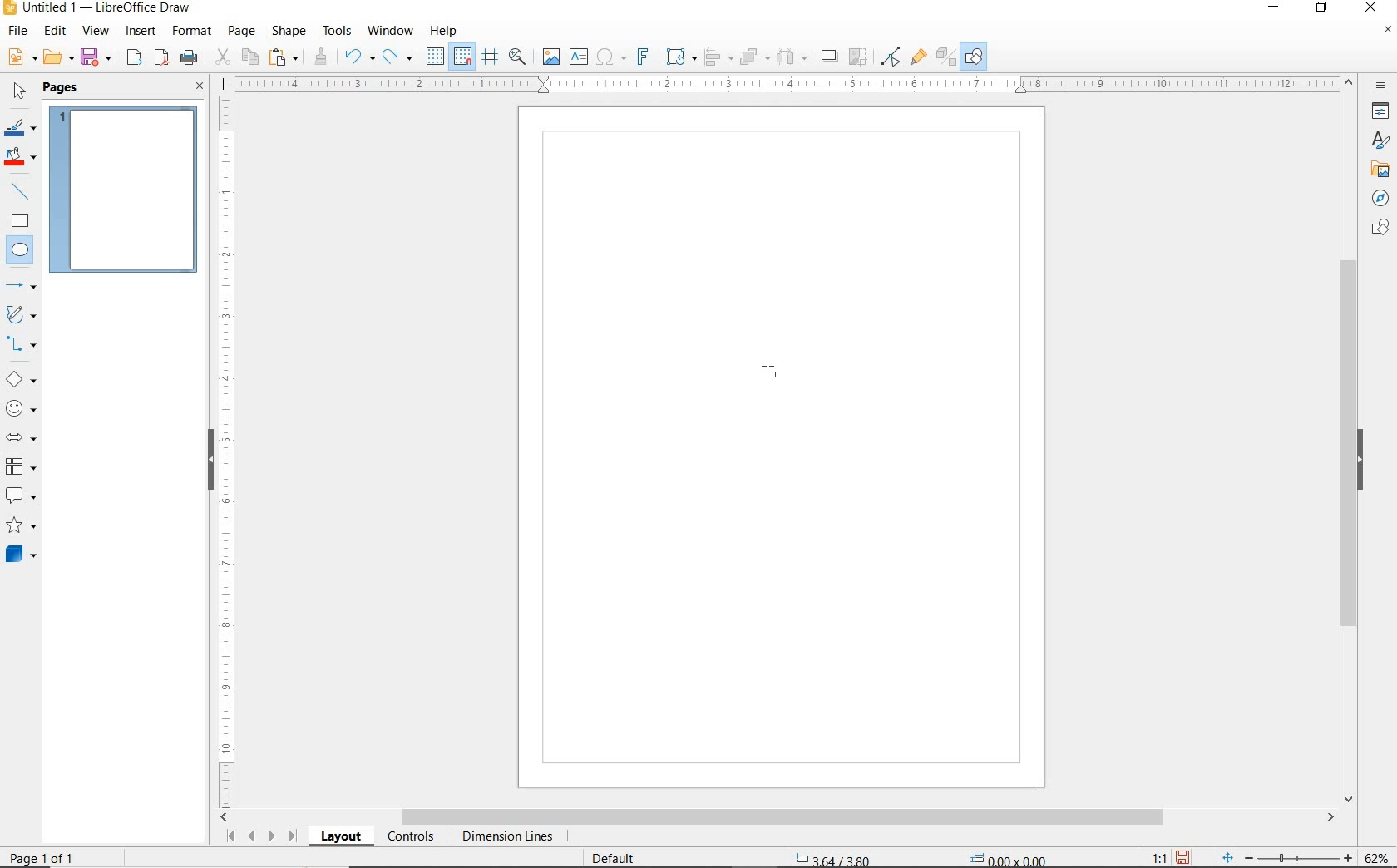 The height and width of the screenshot is (868, 1397). What do you see at coordinates (891, 57) in the screenshot?
I see `TOGGLE POINT EDIT MODE` at bounding box center [891, 57].